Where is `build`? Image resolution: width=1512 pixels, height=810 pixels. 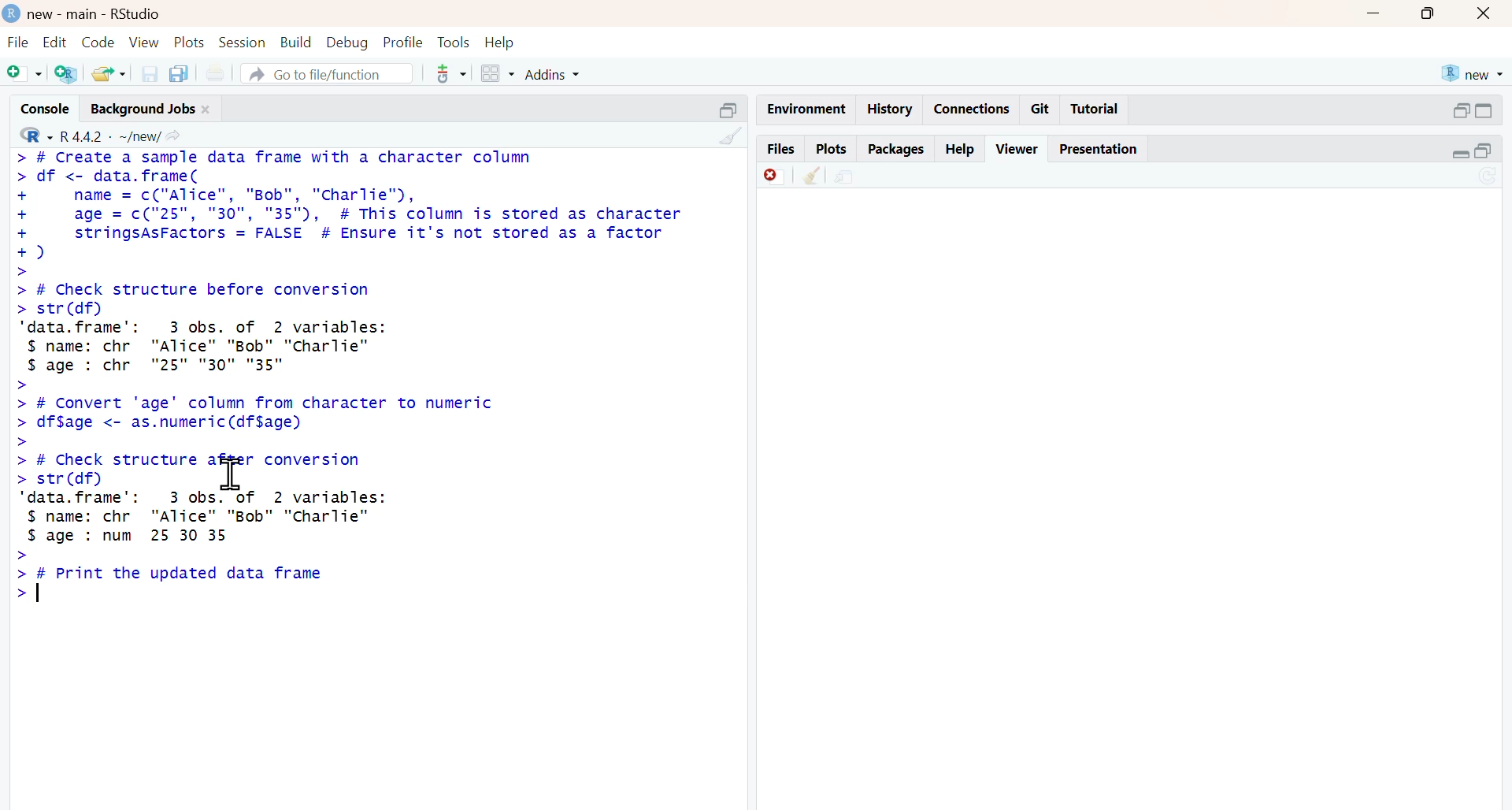
build is located at coordinates (297, 43).